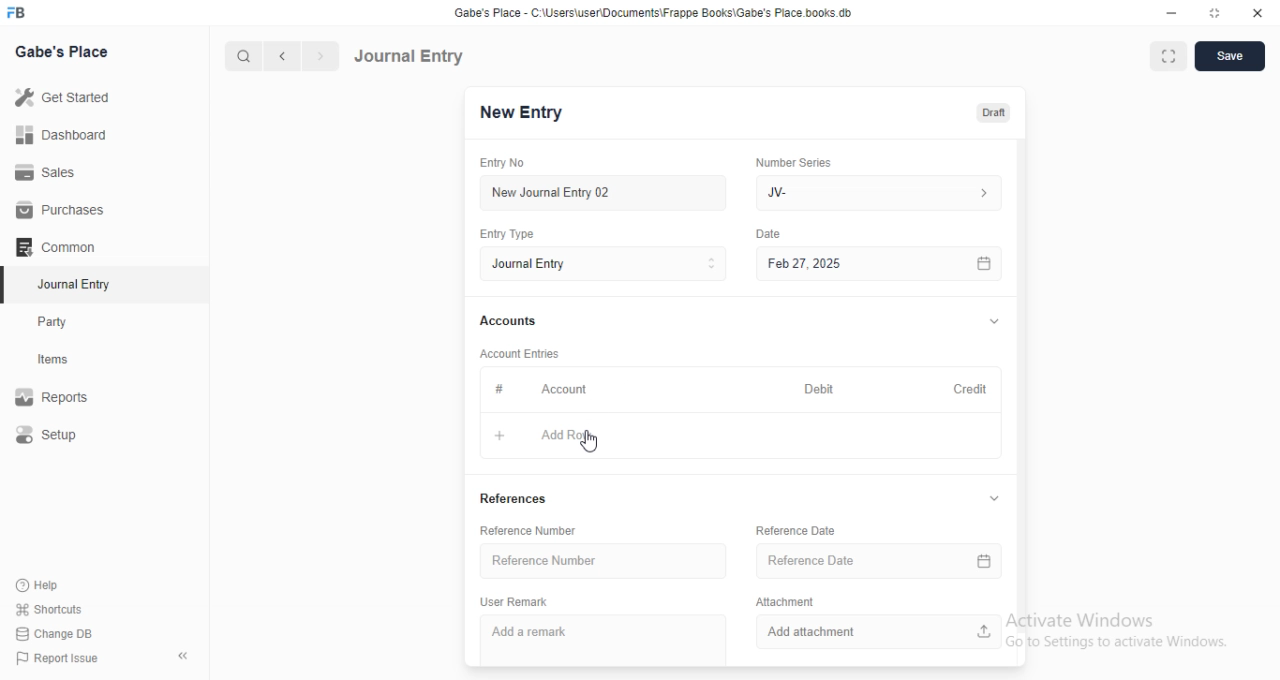 The image size is (1280, 680). What do you see at coordinates (50, 608) in the screenshot?
I see `' Shortcuts` at bounding box center [50, 608].